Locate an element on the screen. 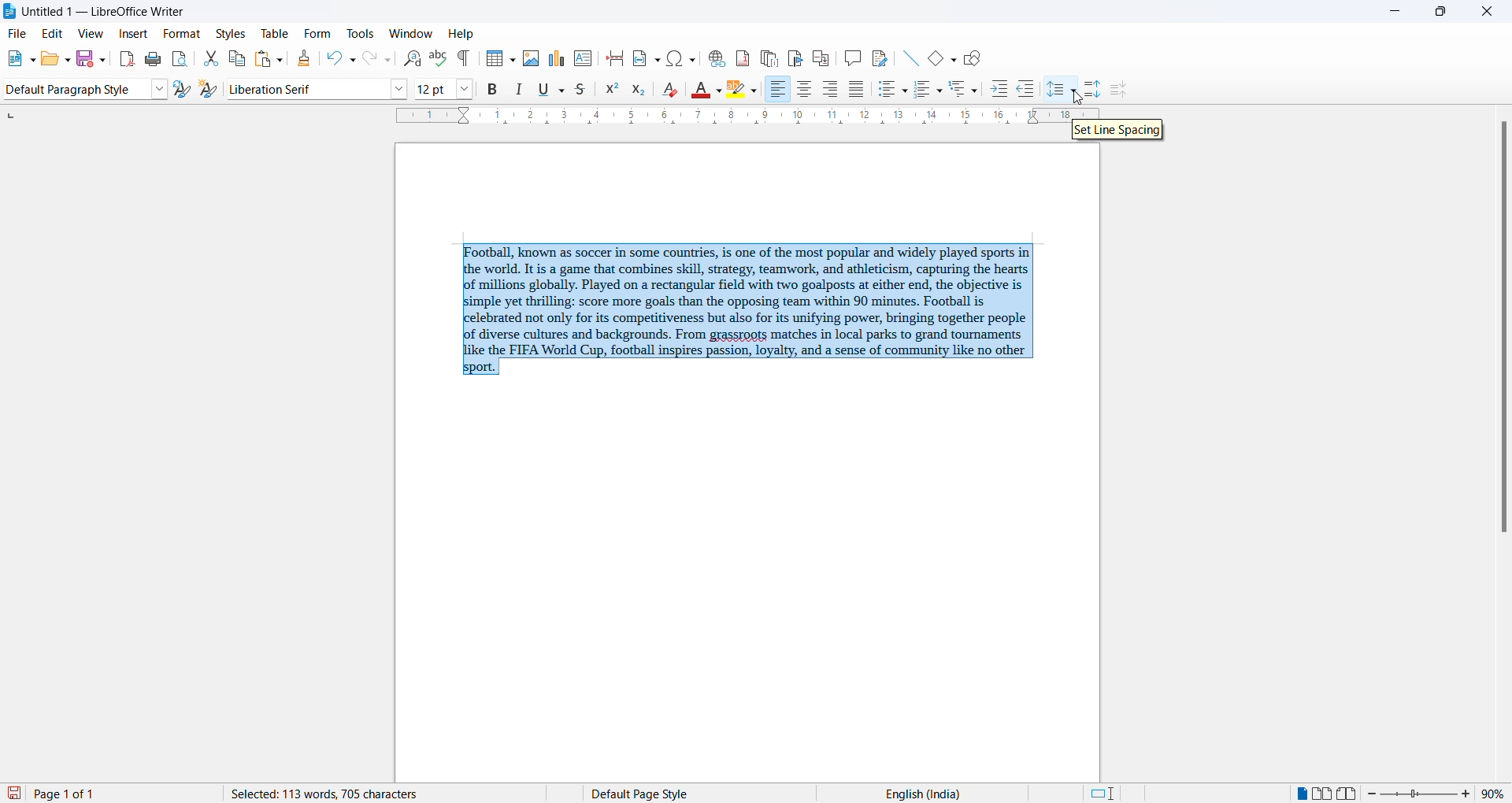 This screenshot has height=803, width=1512. superscript is located at coordinates (613, 90).